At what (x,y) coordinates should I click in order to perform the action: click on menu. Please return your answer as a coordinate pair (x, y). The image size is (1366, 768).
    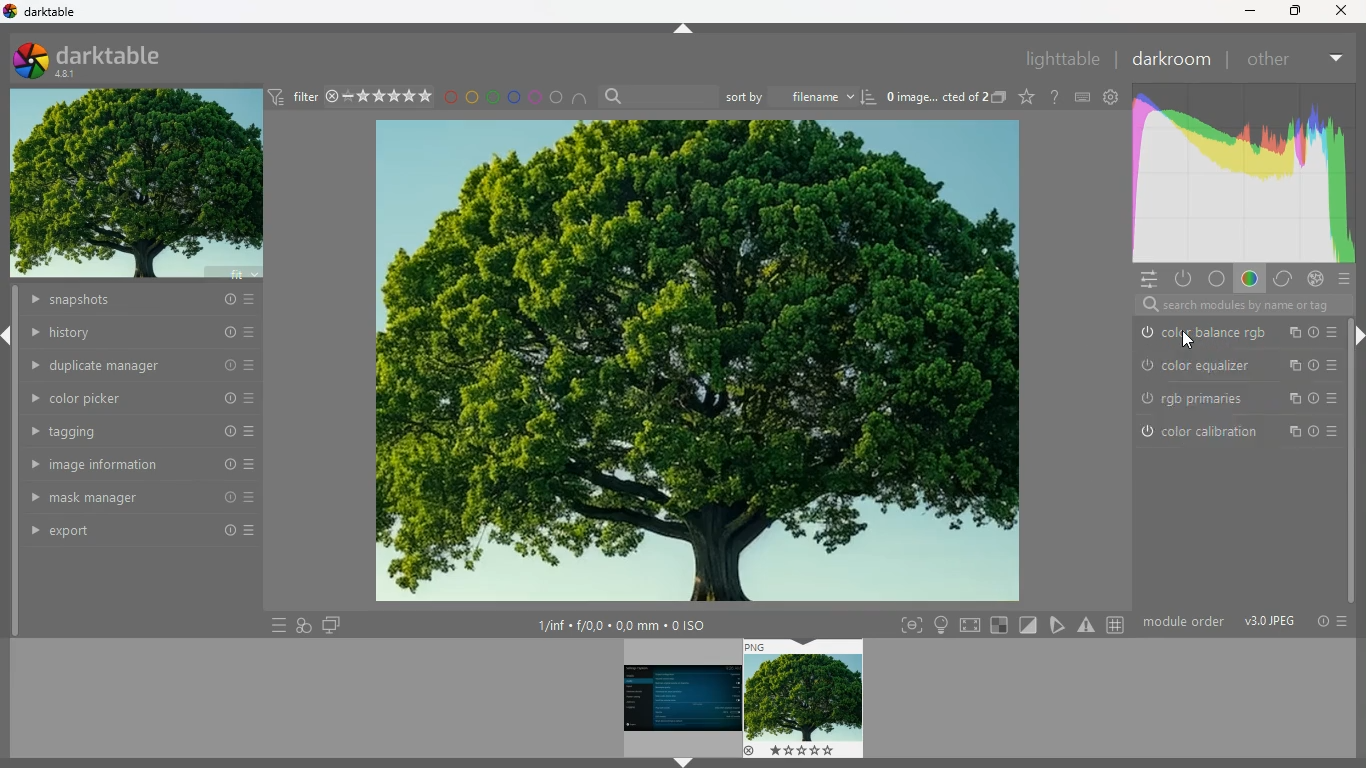
    Looking at the image, I should click on (1346, 280).